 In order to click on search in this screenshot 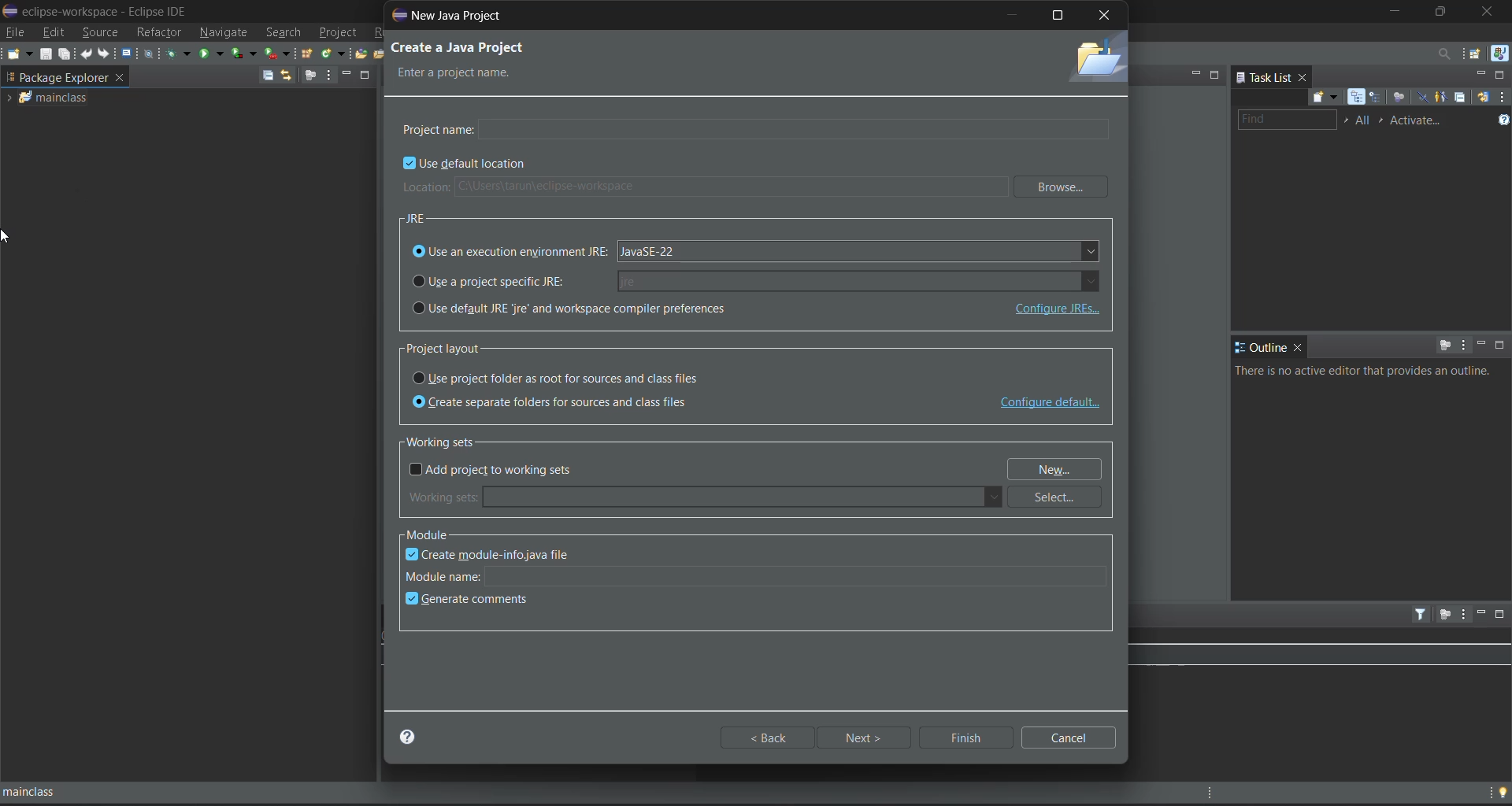, I will do `click(283, 33)`.